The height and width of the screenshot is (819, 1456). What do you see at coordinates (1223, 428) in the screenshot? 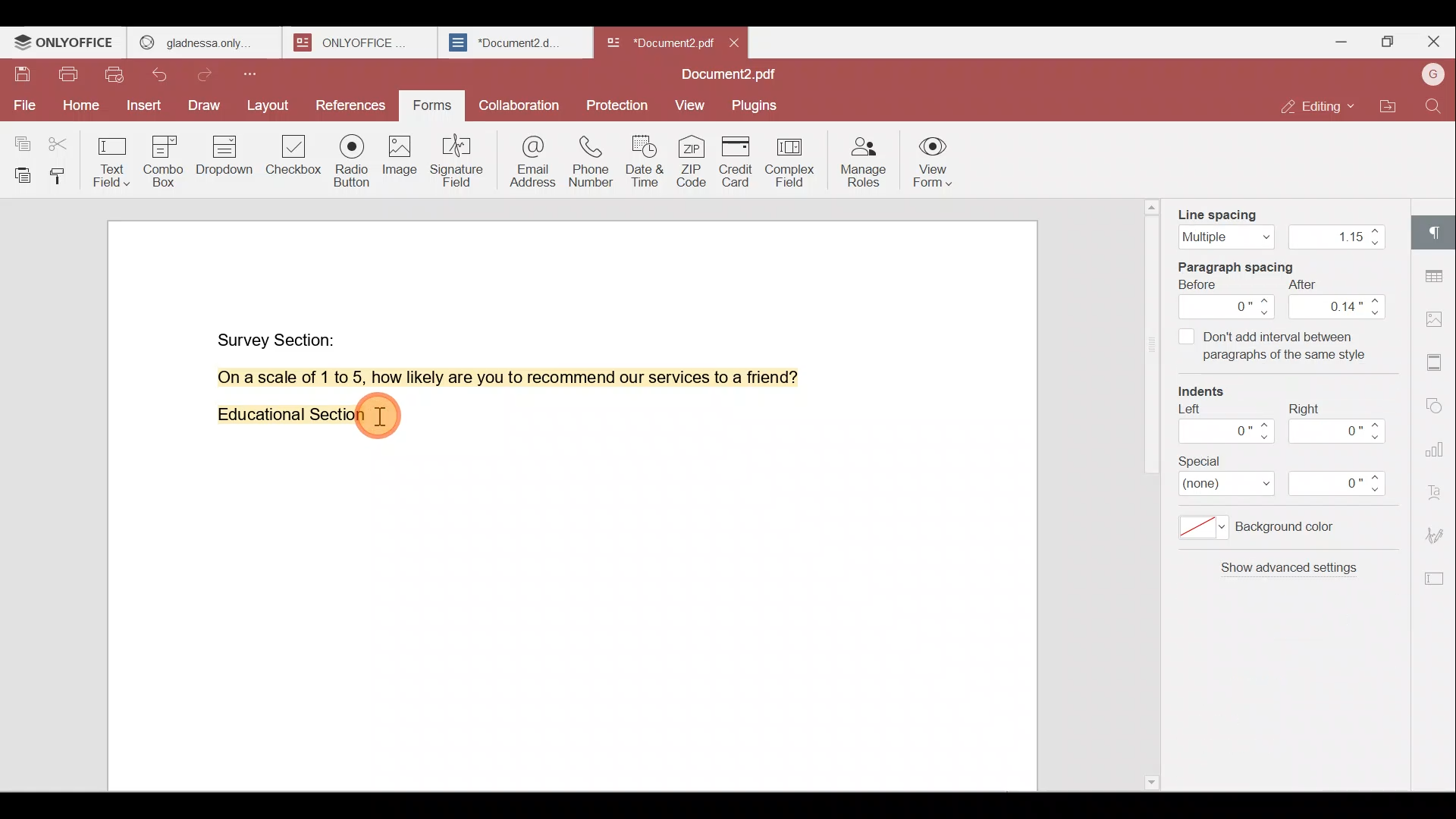
I see `Left` at bounding box center [1223, 428].